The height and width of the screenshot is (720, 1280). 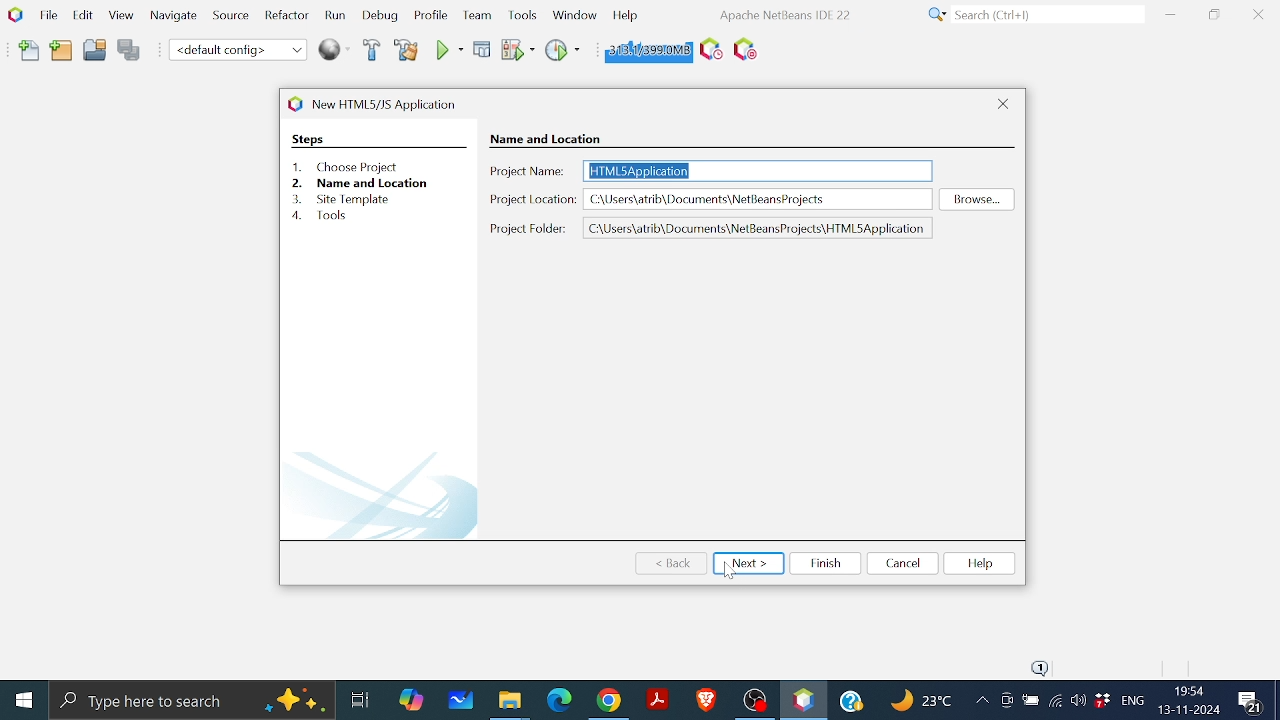 What do you see at coordinates (705, 699) in the screenshot?
I see `Brave Browser` at bounding box center [705, 699].